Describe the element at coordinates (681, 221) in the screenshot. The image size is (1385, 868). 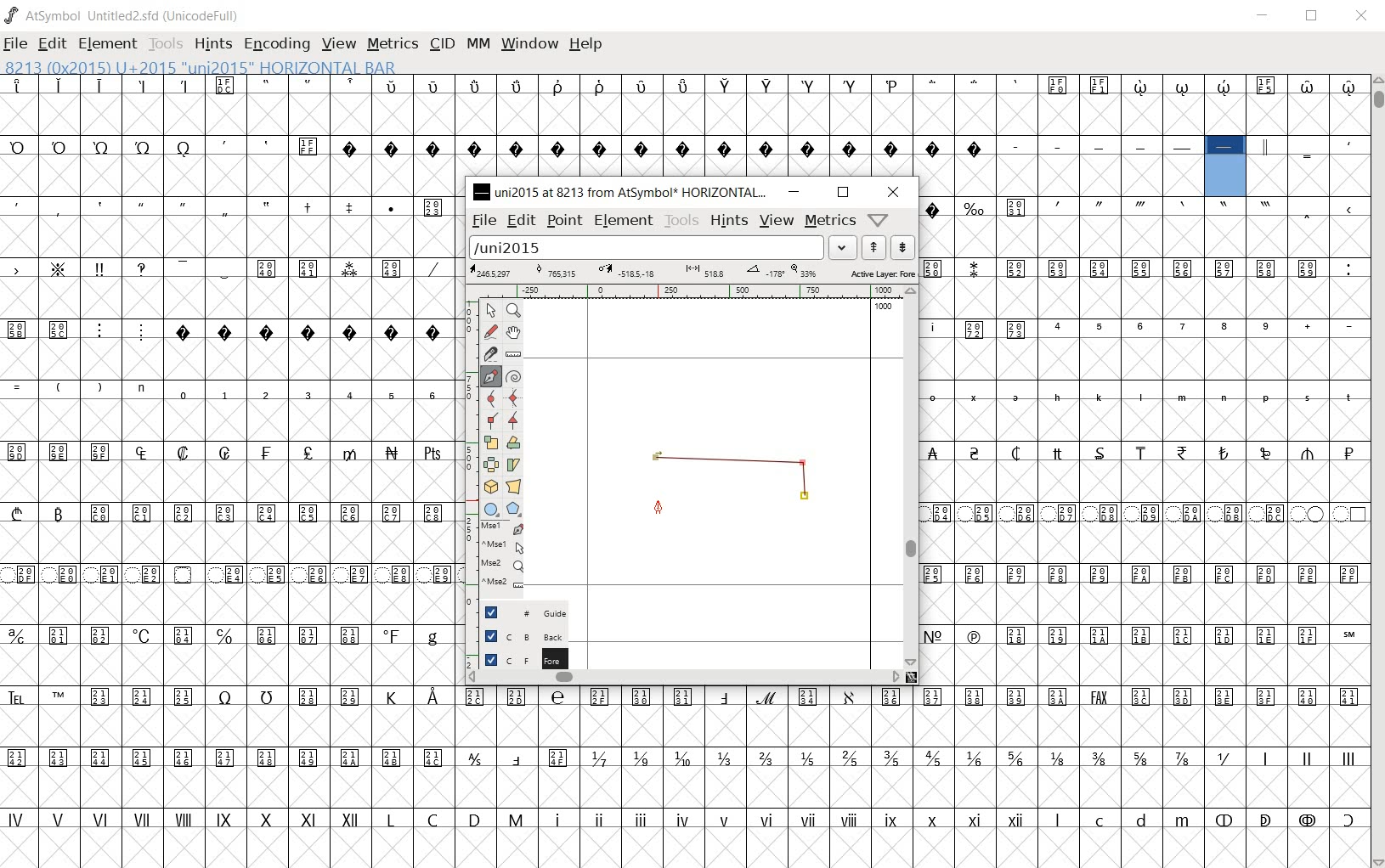
I see `tools` at that location.